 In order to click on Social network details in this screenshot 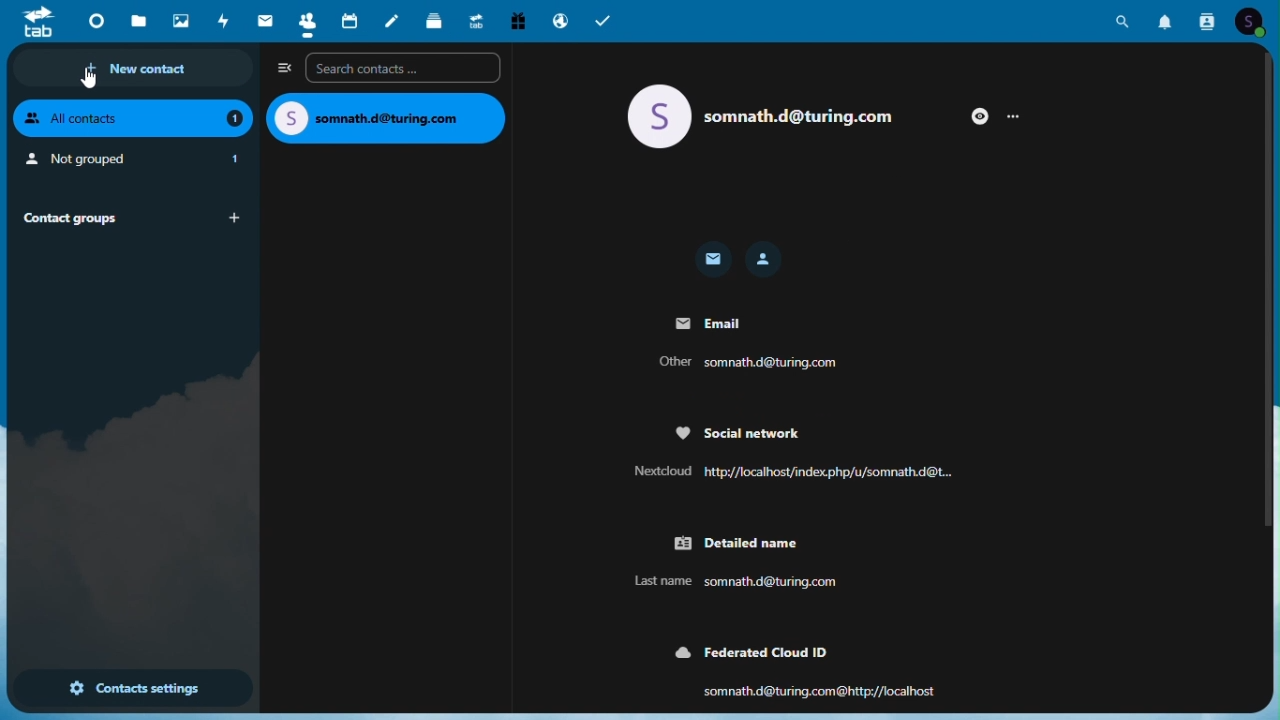, I will do `click(798, 450)`.